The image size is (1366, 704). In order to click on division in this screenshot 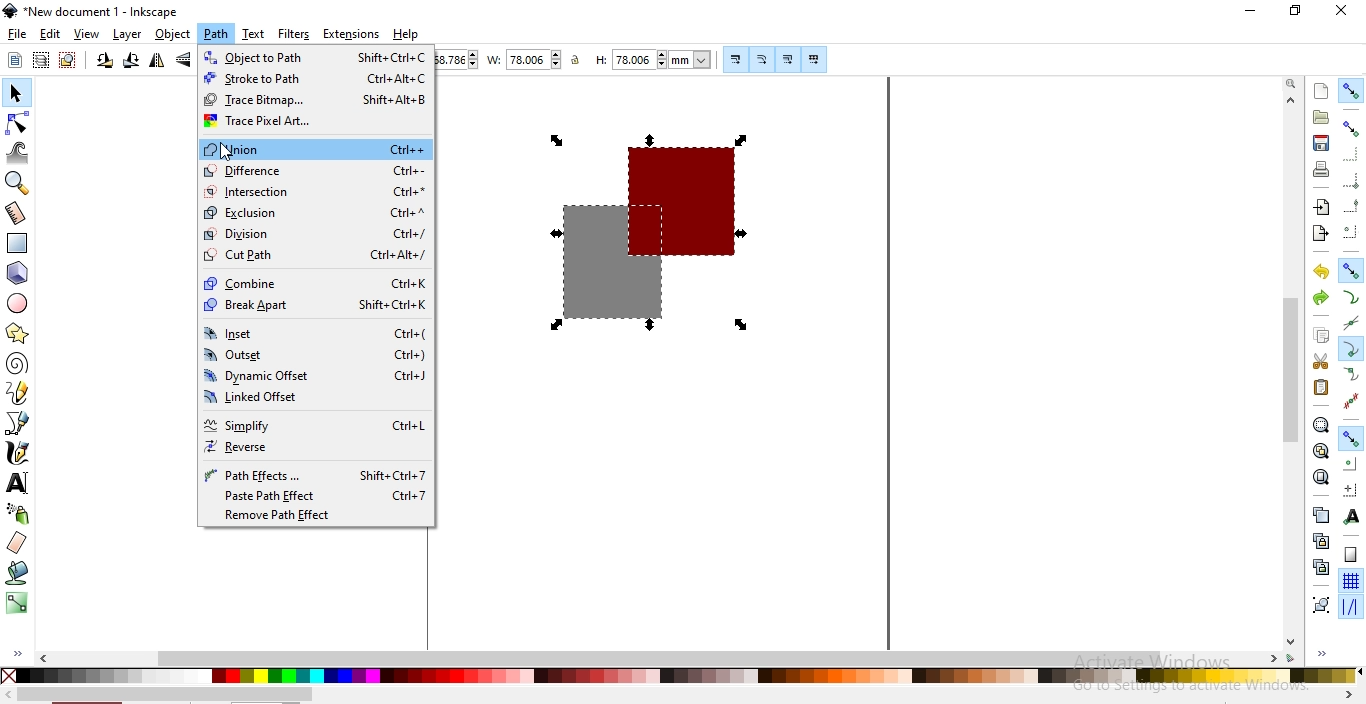, I will do `click(314, 233)`.